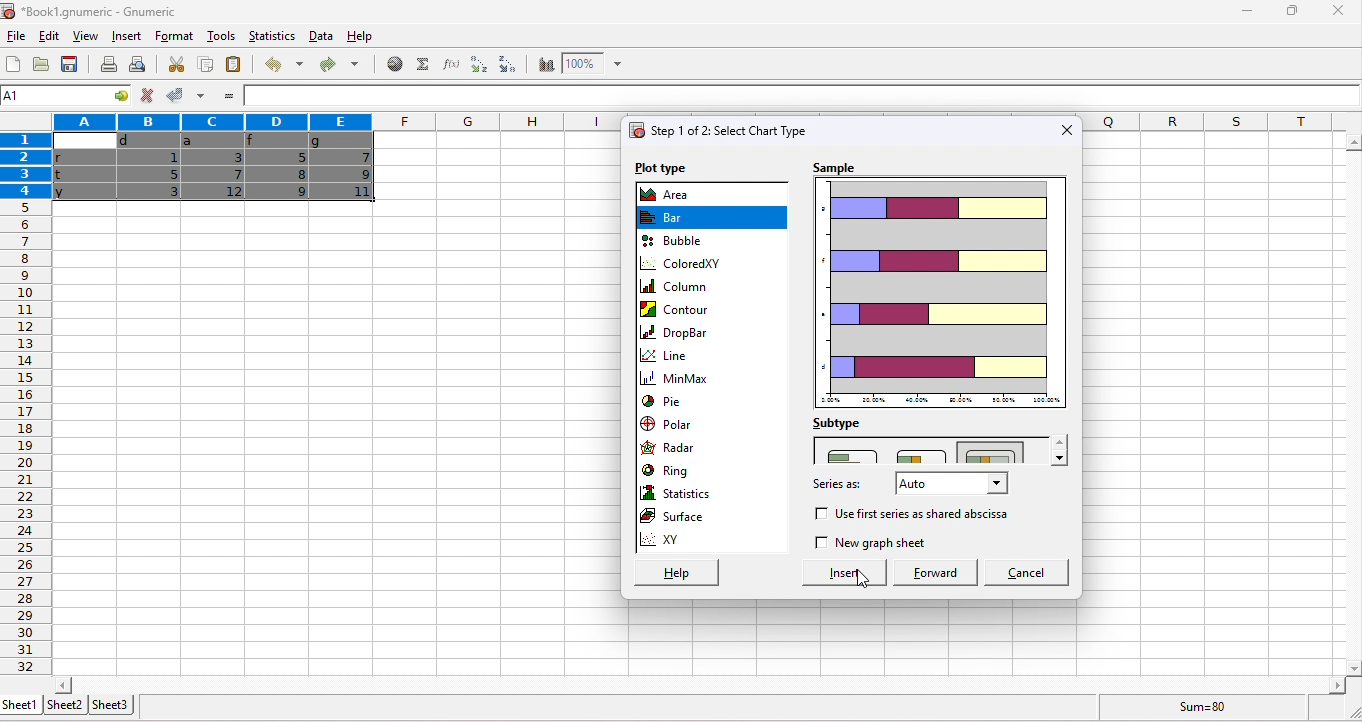 The image size is (1362, 722). Describe the element at coordinates (176, 94) in the screenshot. I see `accept changes` at that location.